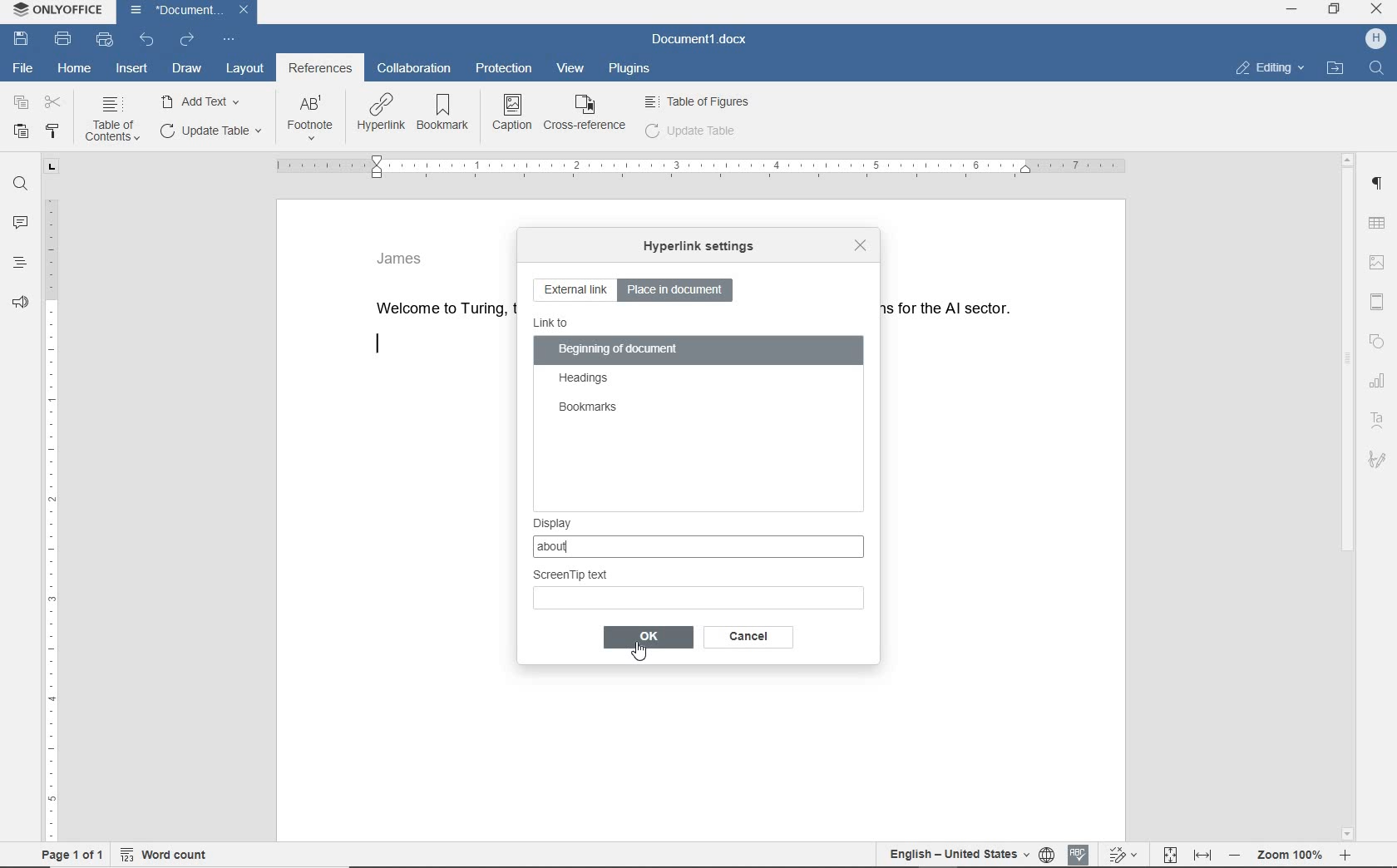 The image size is (1397, 868). I want to click on Restore down, so click(1338, 13).